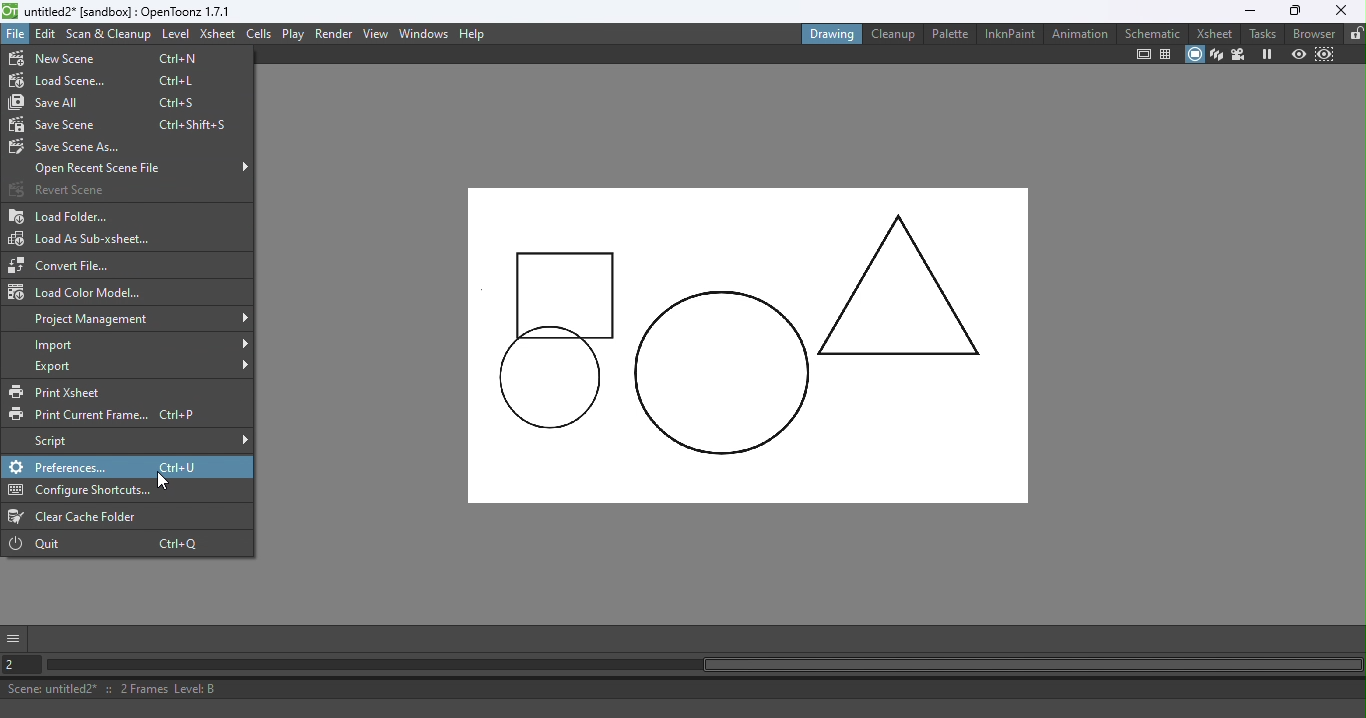 The image size is (1366, 718). I want to click on Import, so click(142, 344).